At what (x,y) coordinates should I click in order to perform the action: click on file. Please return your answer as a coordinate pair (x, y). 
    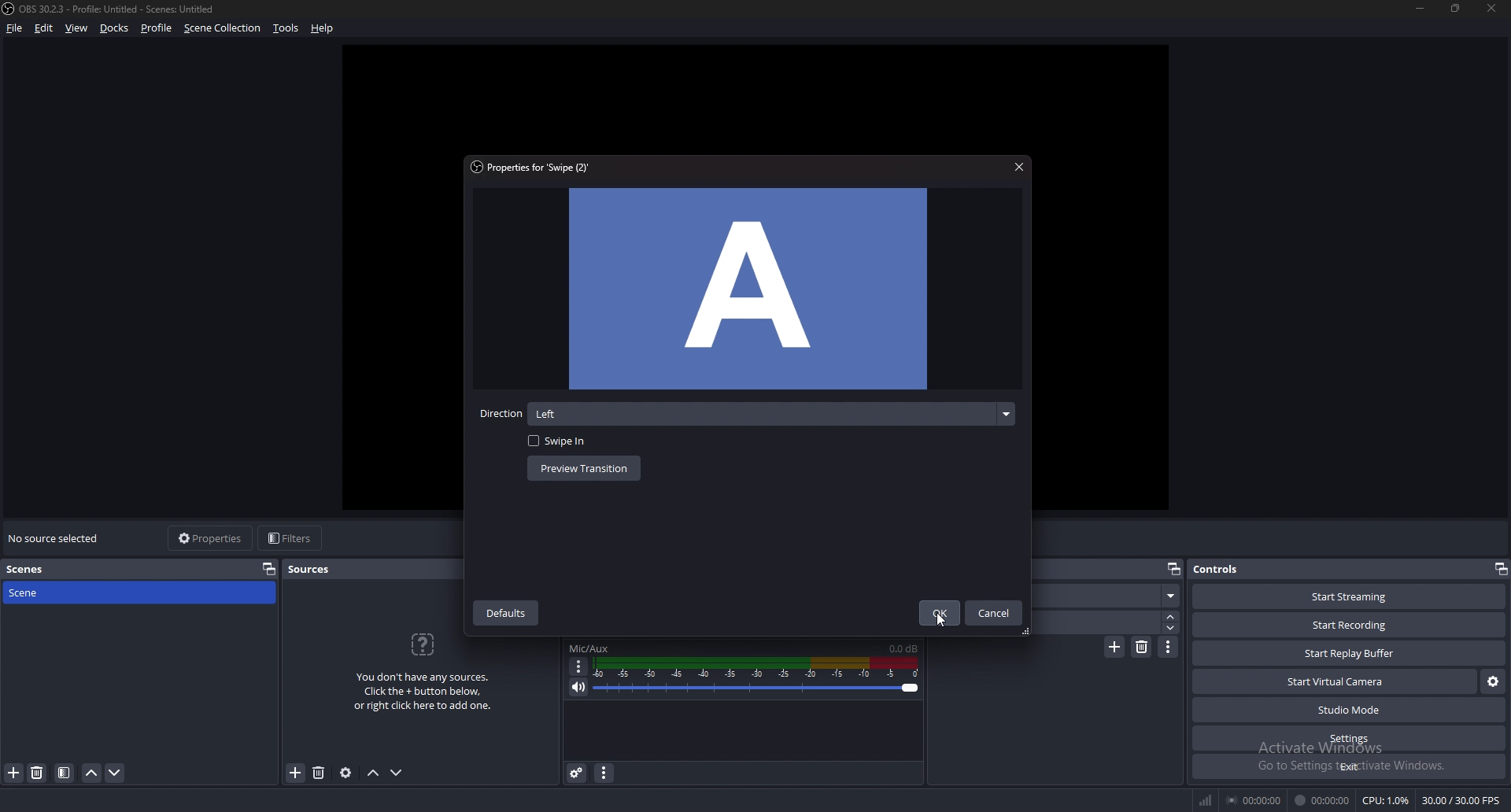
    Looking at the image, I should click on (15, 28).